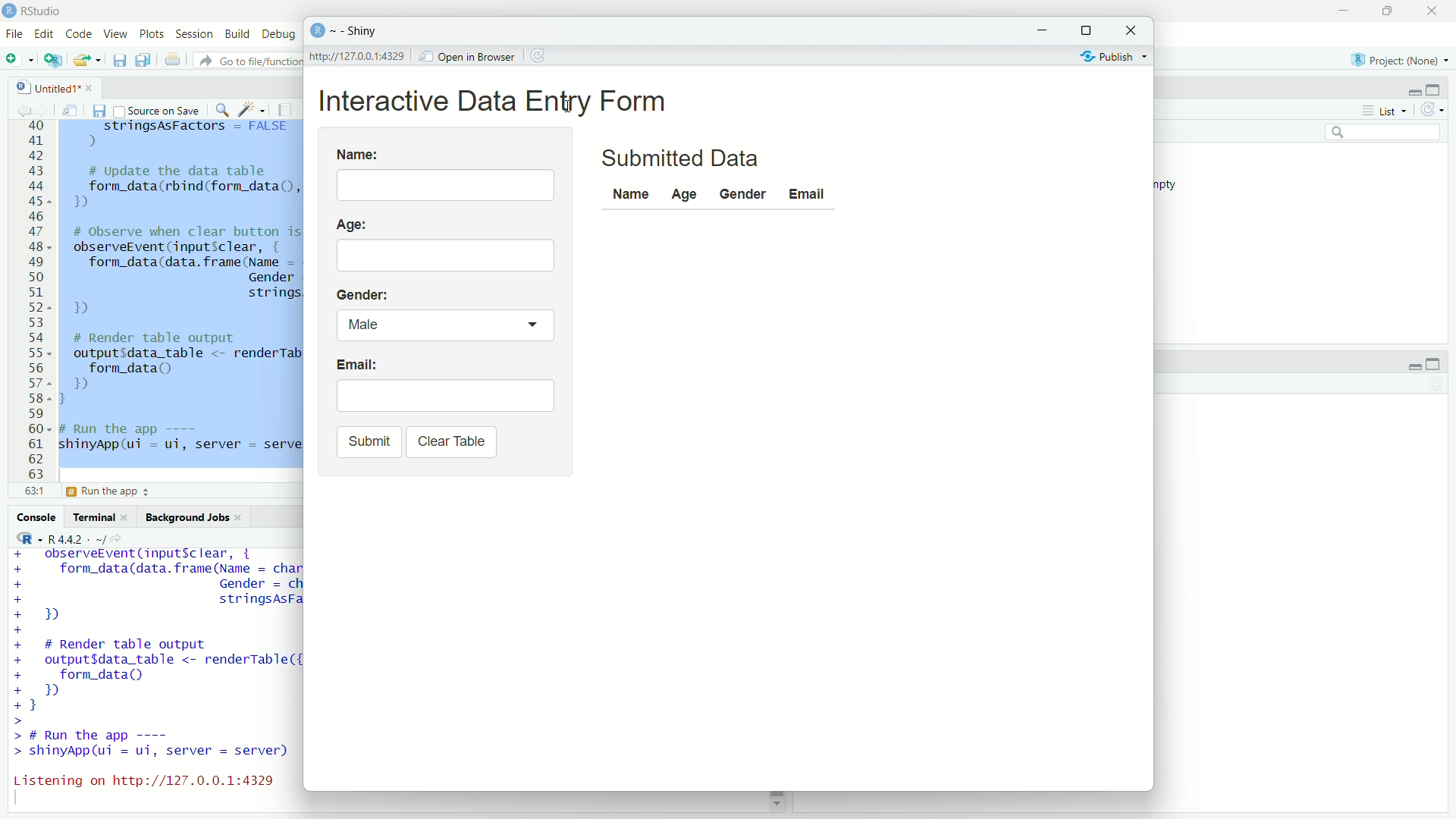 The image size is (1456, 819). I want to click on Age:, so click(354, 224).